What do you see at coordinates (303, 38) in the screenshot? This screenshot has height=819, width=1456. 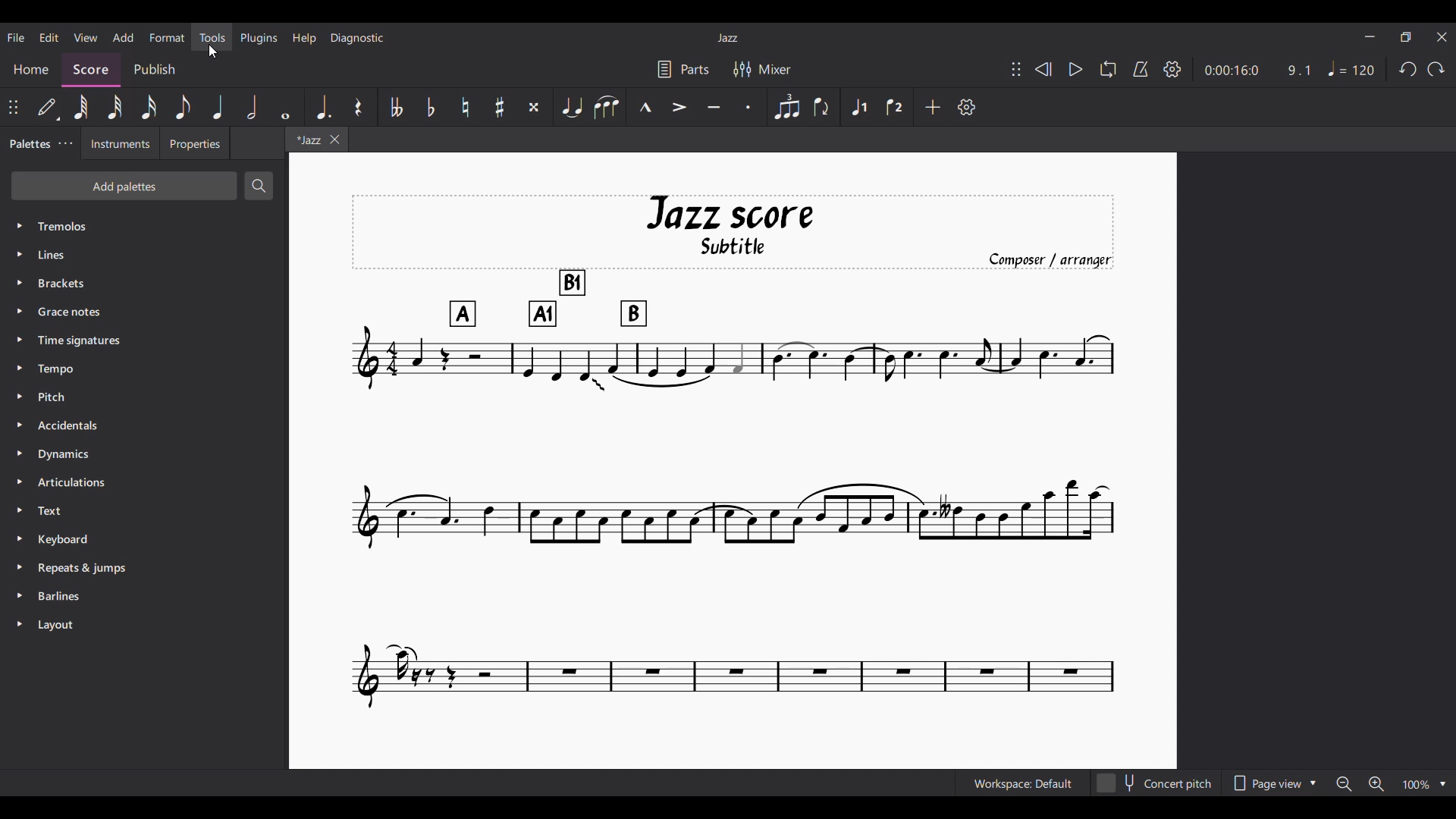 I see `Help menu` at bounding box center [303, 38].